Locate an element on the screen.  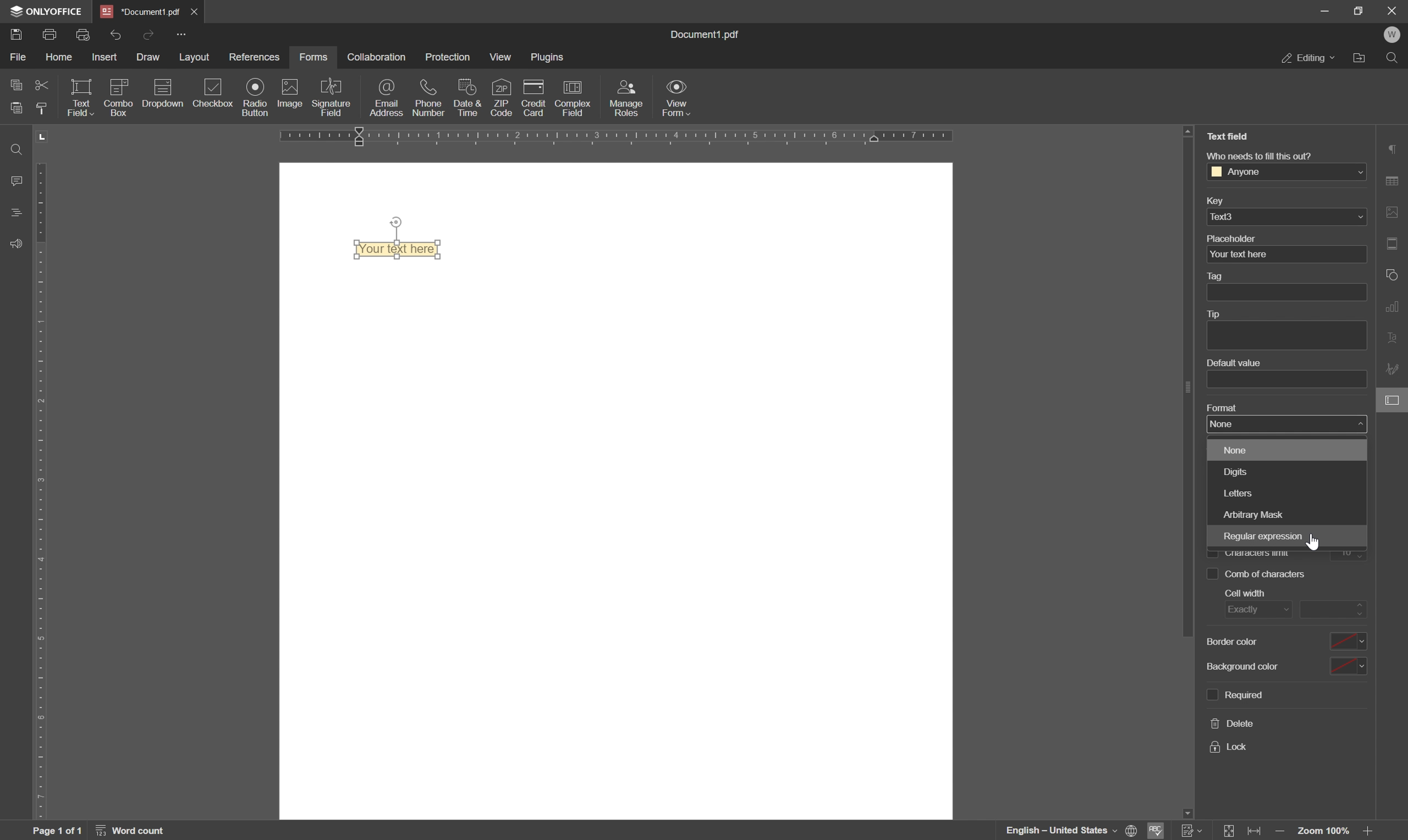
Text field is located at coordinates (403, 250).